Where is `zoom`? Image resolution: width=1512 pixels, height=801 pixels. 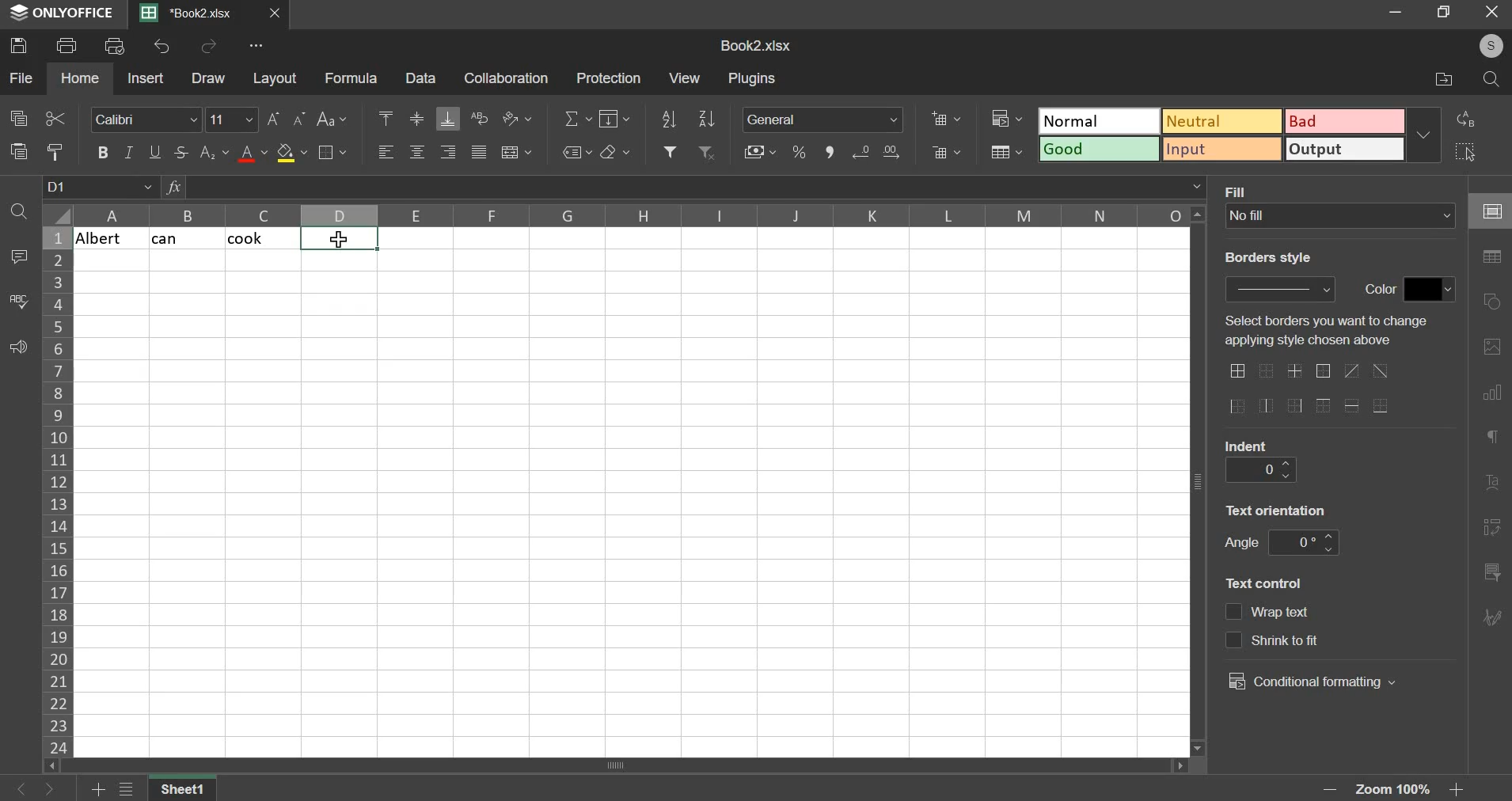
zoom is located at coordinates (1391, 787).